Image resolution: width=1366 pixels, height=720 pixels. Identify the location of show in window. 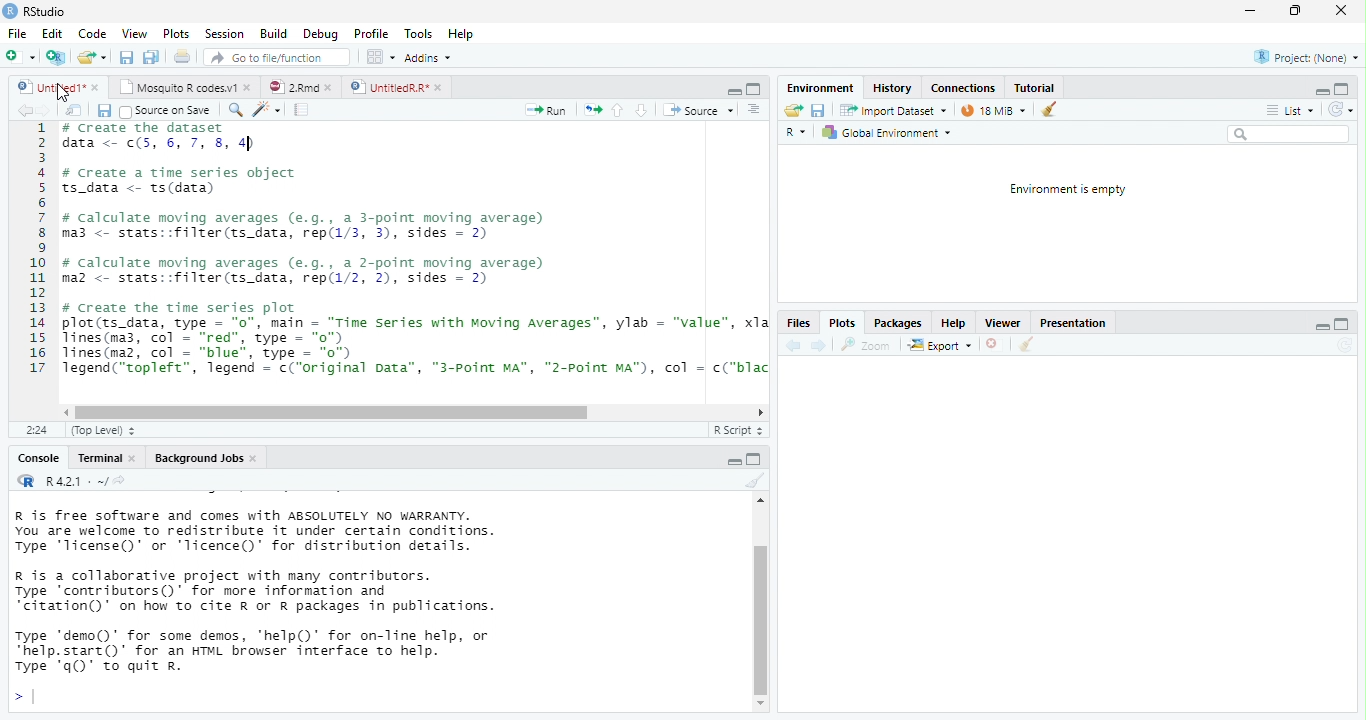
(75, 110).